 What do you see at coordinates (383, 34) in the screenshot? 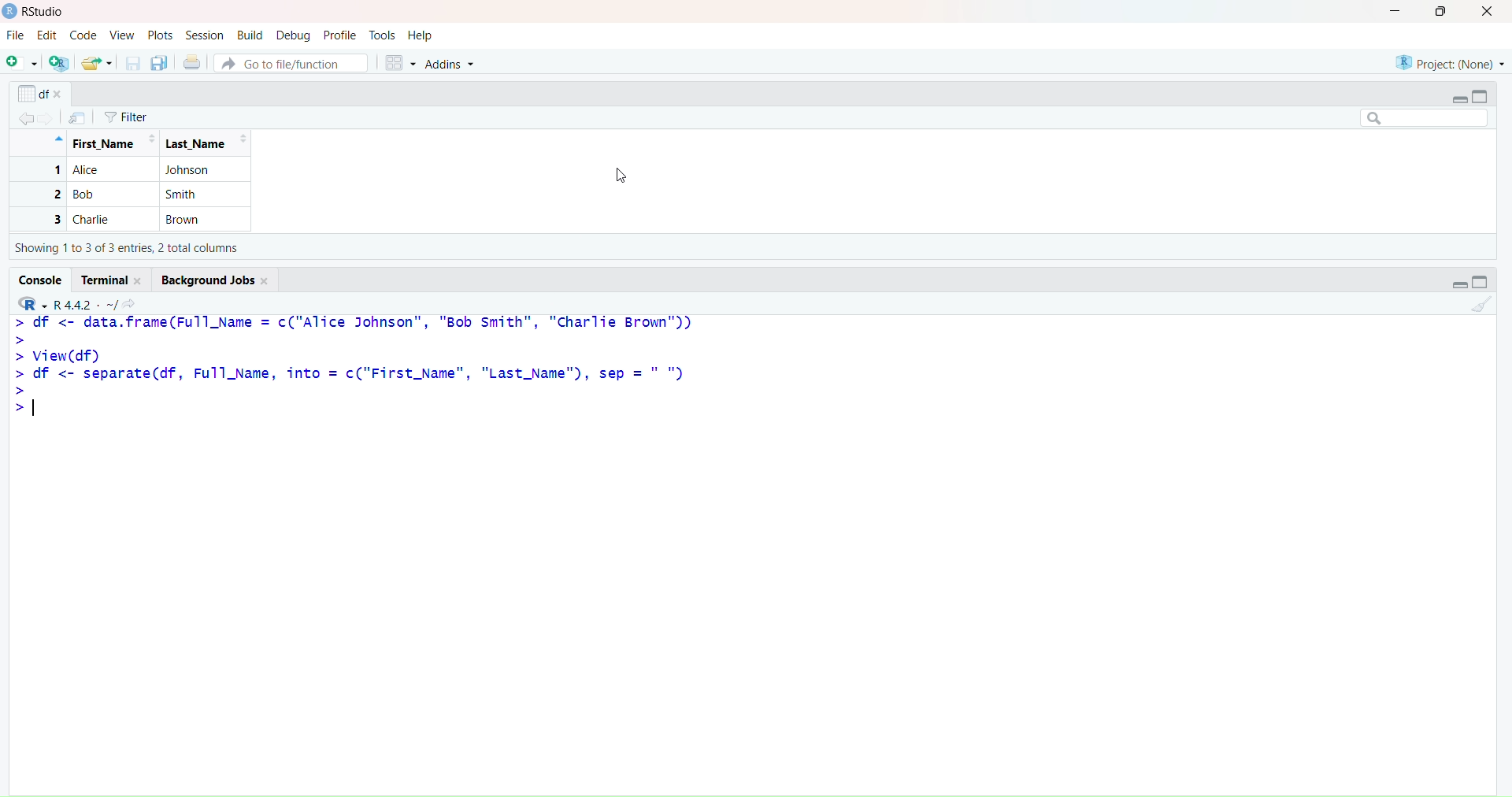
I see `Tools` at bounding box center [383, 34].